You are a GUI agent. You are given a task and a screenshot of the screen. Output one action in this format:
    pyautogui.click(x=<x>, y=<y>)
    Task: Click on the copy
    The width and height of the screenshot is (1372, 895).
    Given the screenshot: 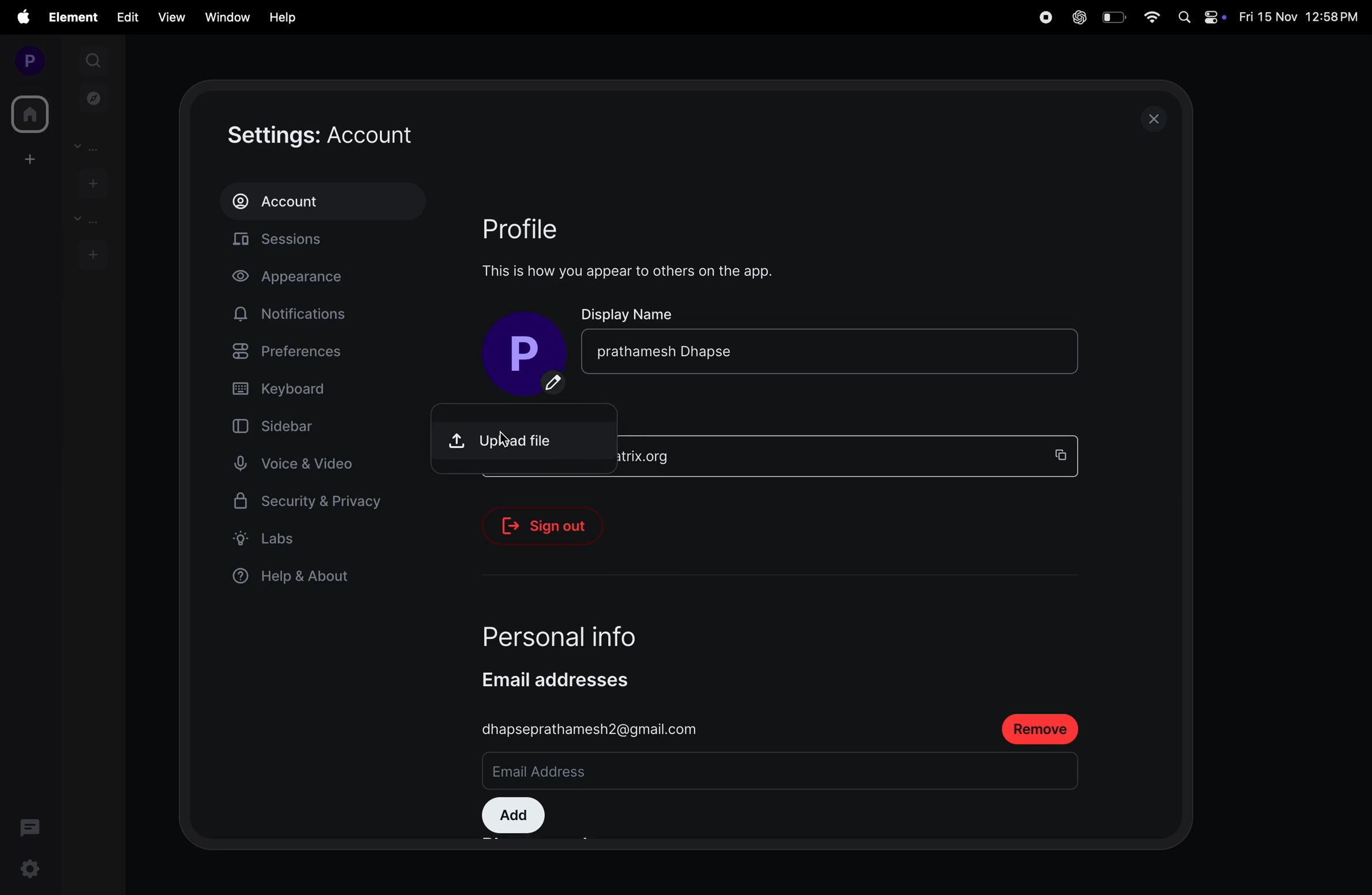 What is the action you would take?
    pyautogui.click(x=1065, y=454)
    